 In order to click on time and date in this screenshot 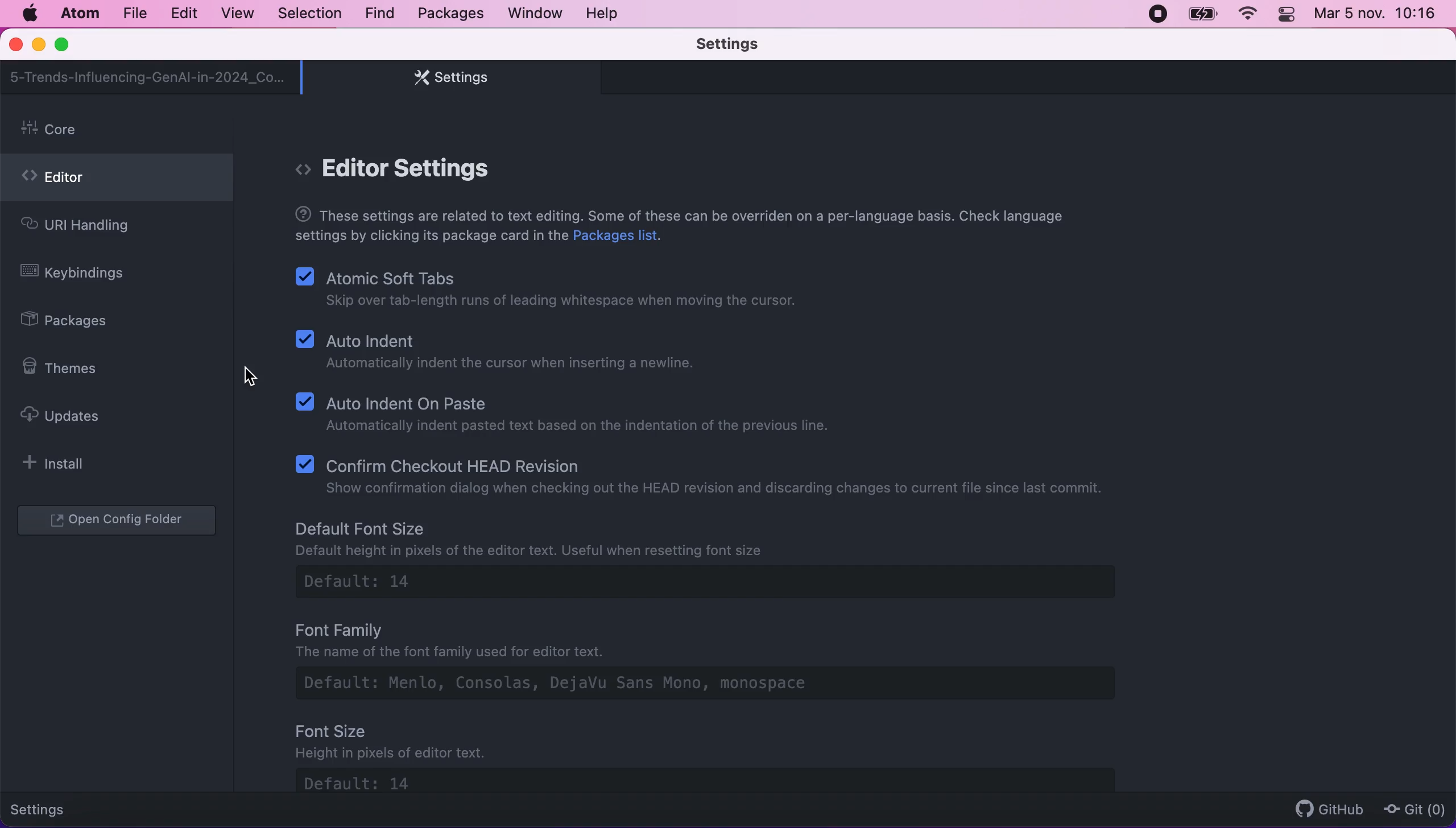, I will do `click(1378, 16)`.